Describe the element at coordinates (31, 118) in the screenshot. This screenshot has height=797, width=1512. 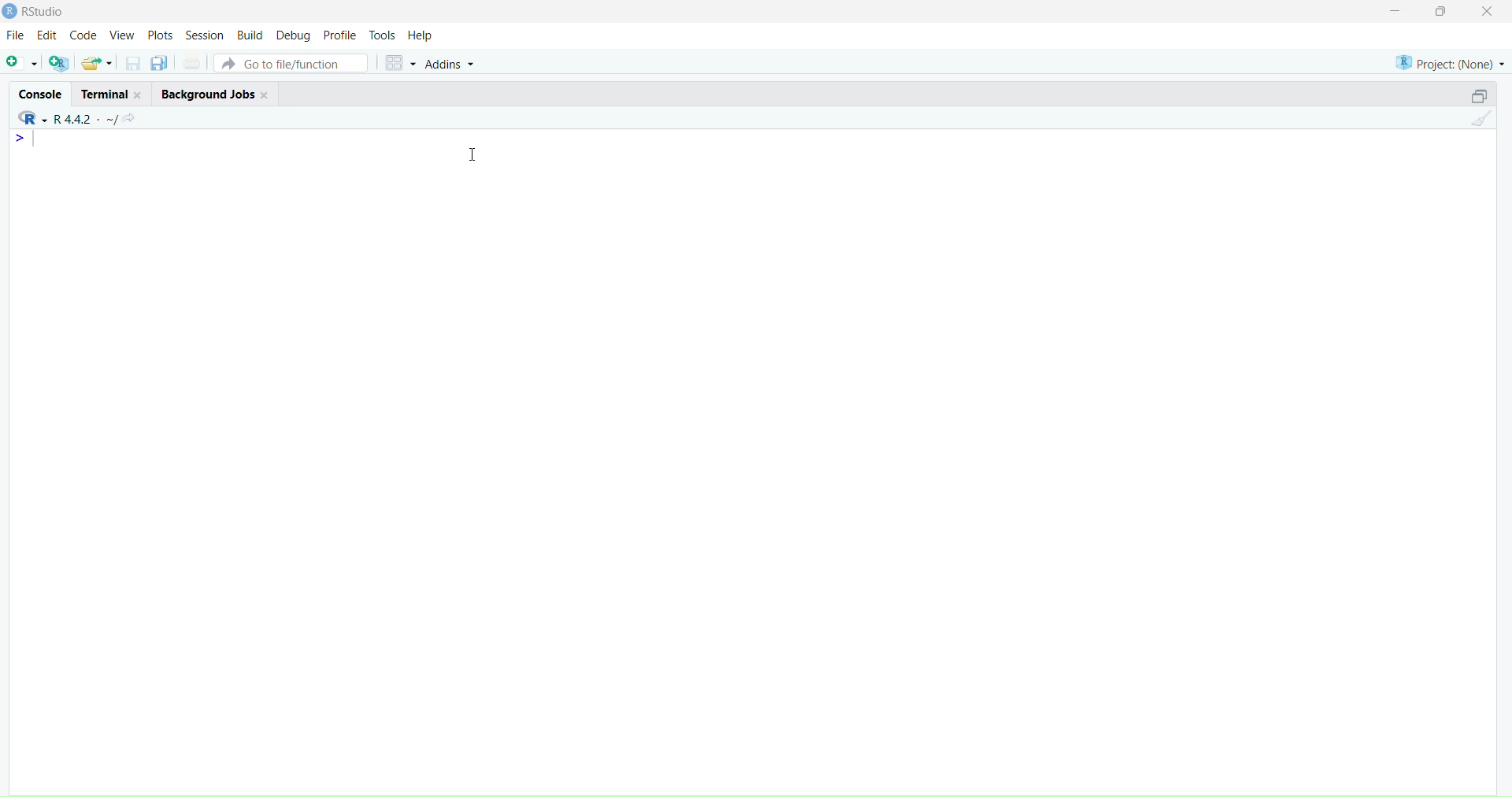
I see `R` at that location.